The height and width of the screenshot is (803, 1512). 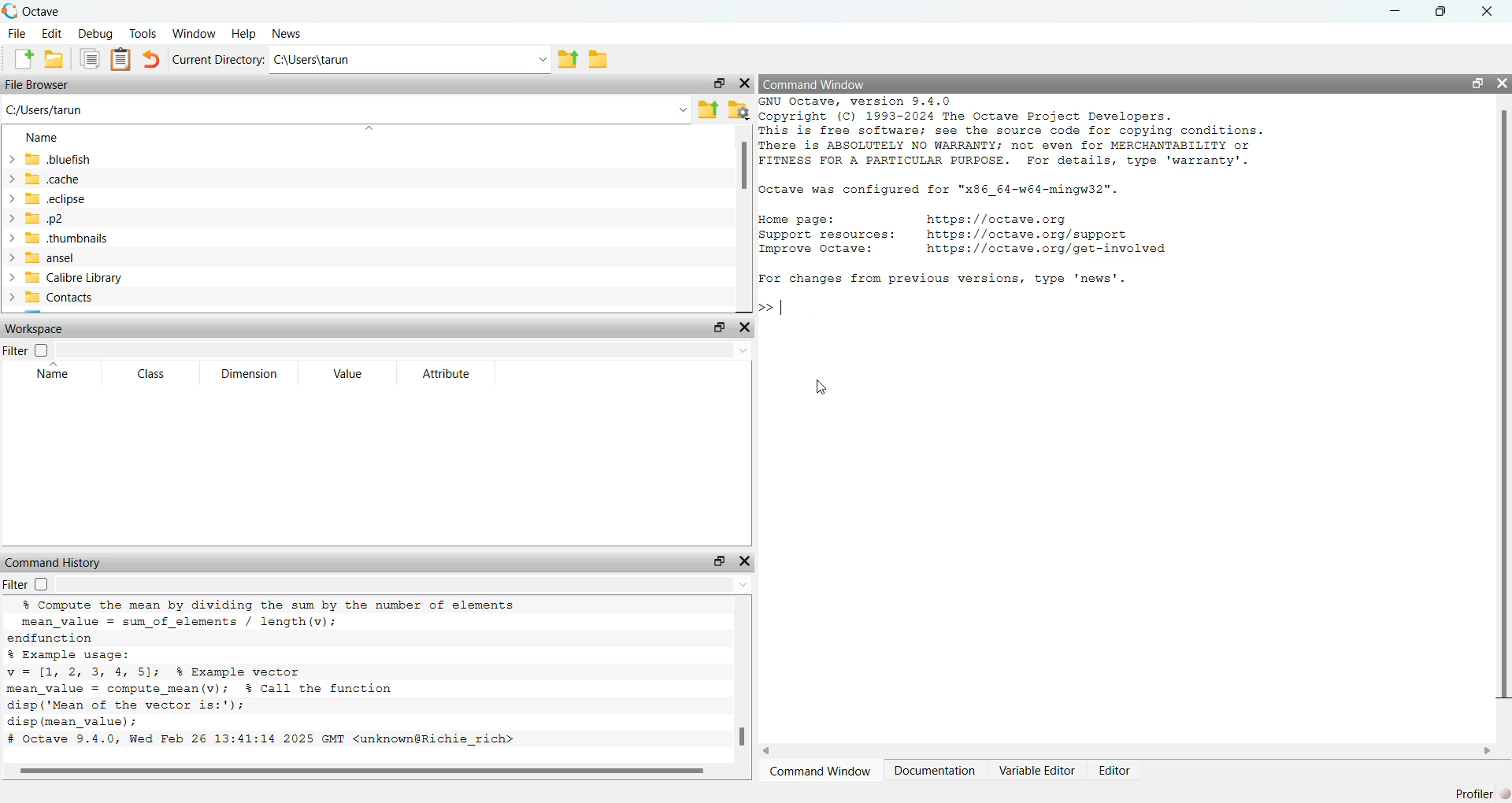 What do you see at coordinates (19, 34) in the screenshot?
I see `file` at bounding box center [19, 34].